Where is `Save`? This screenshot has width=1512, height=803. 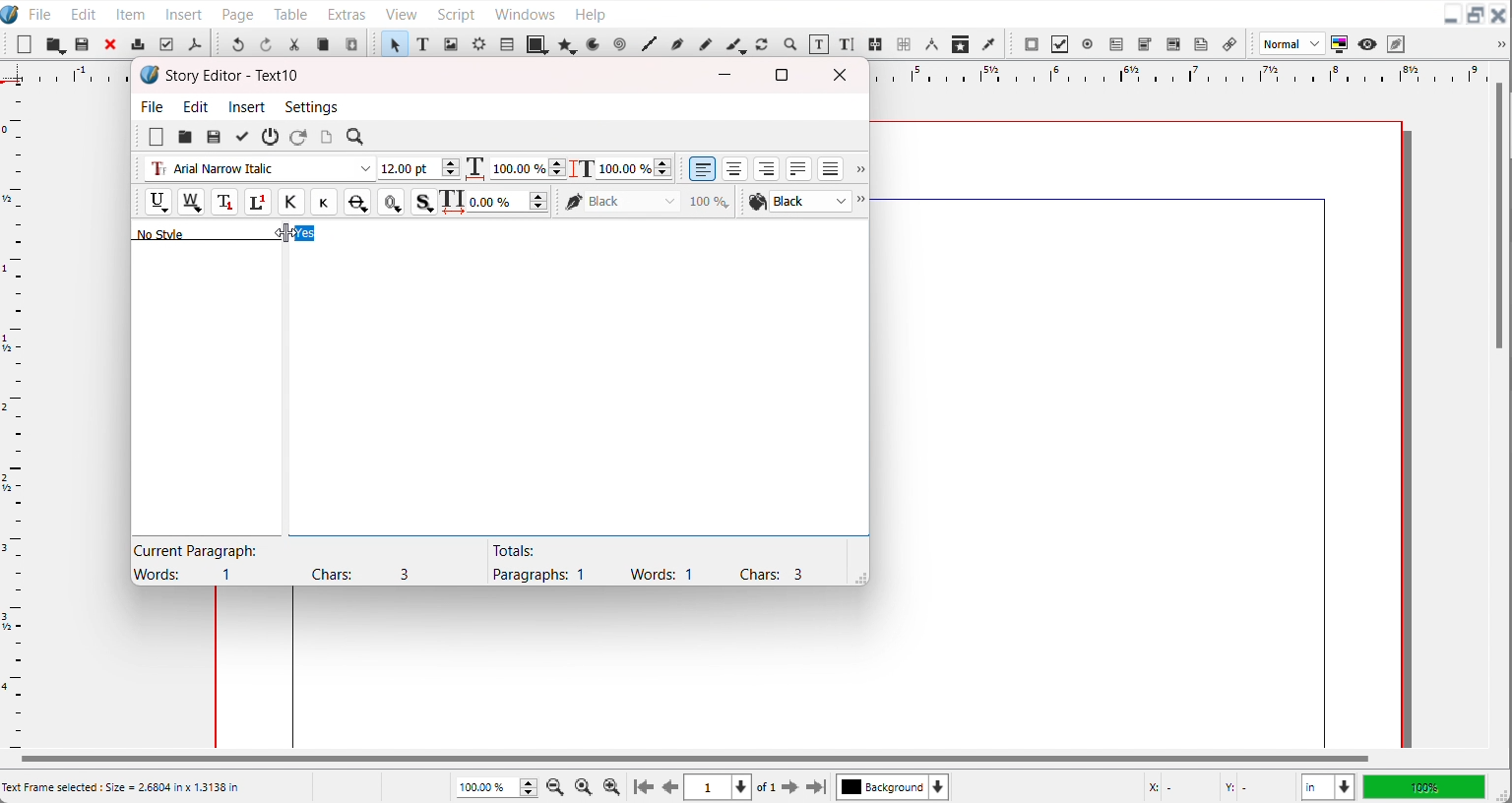 Save is located at coordinates (214, 137).